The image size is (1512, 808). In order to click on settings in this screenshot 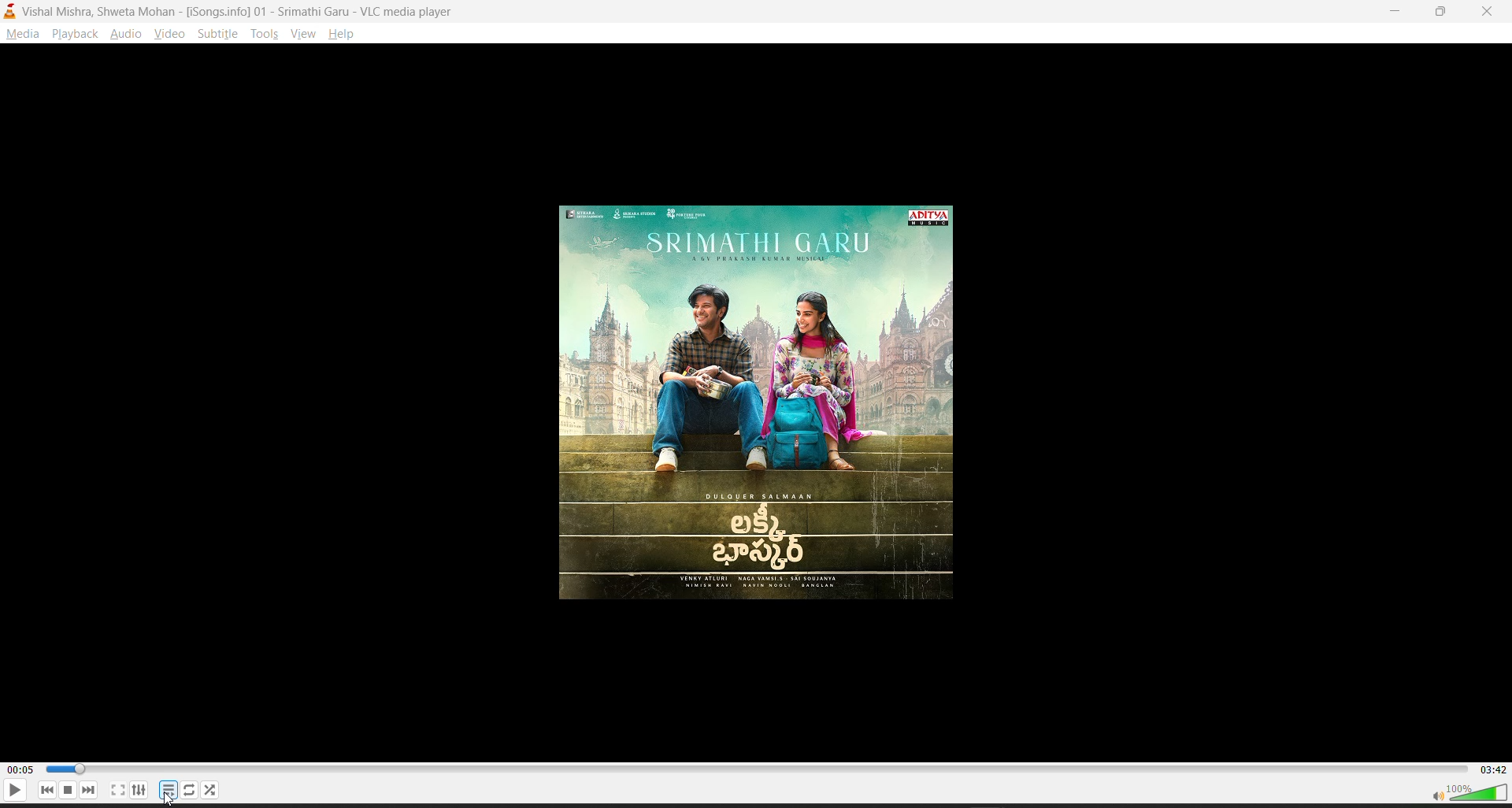, I will do `click(139, 790)`.